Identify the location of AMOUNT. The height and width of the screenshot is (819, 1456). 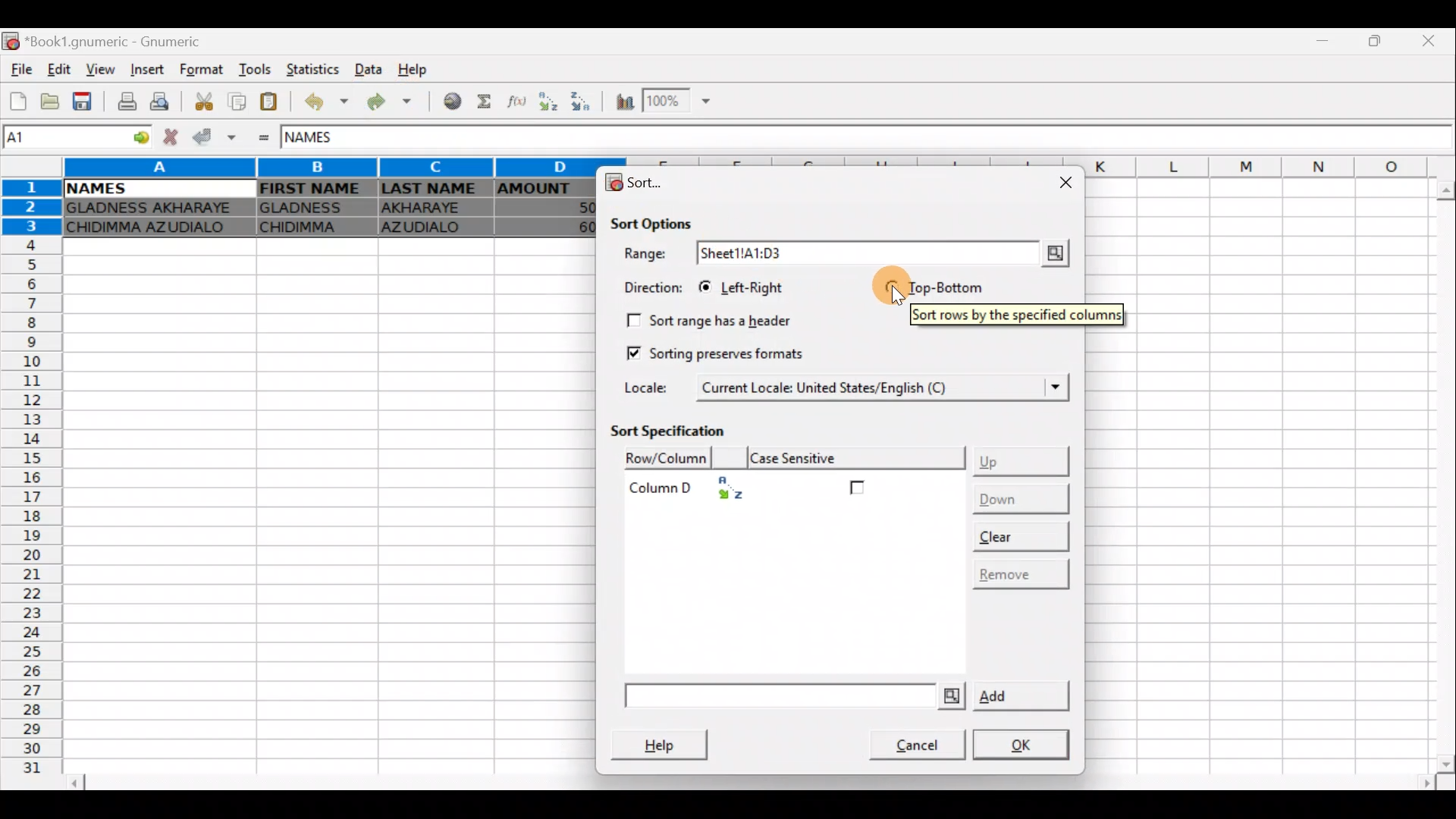
(545, 190).